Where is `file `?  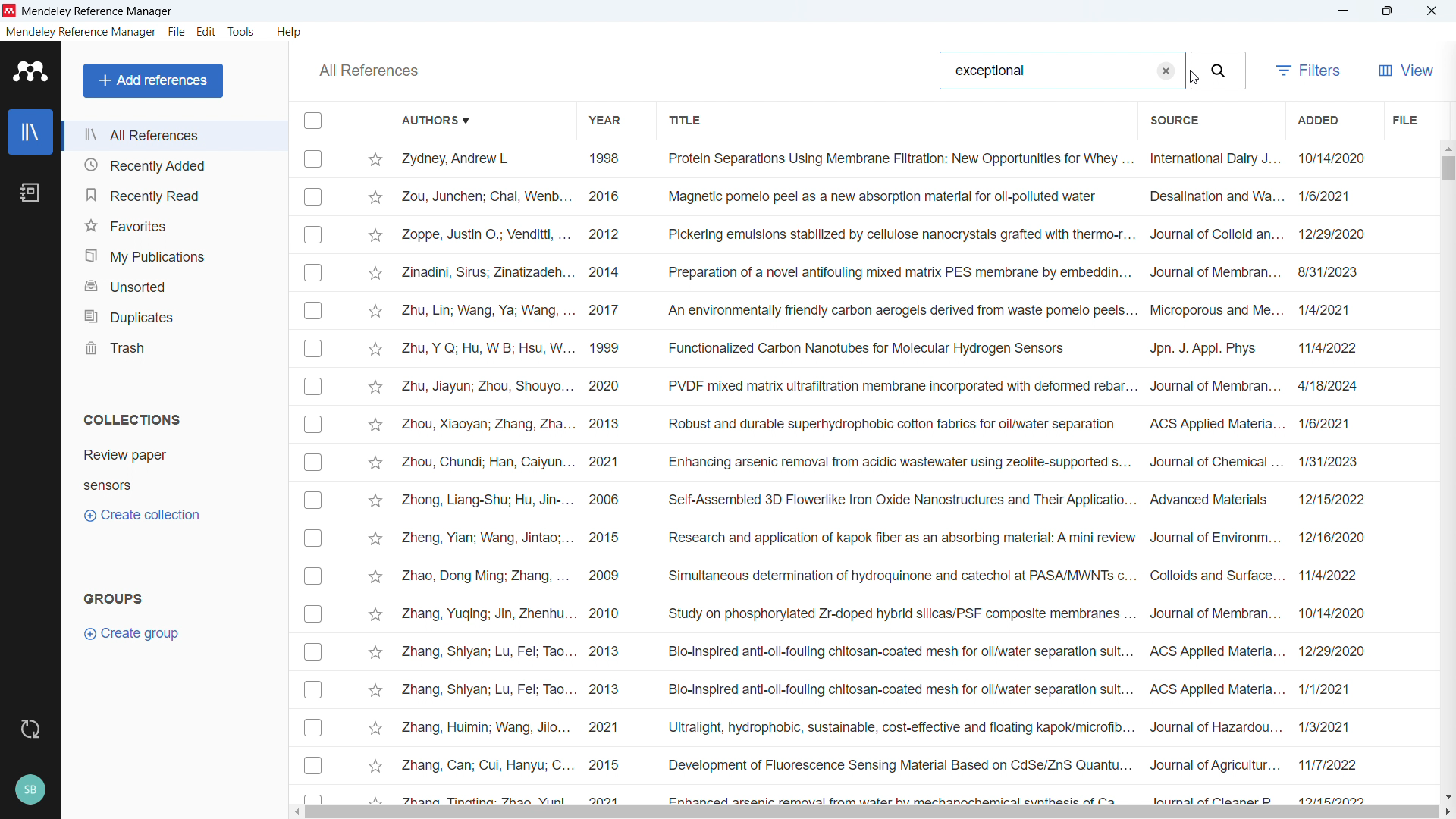
file  is located at coordinates (1404, 119).